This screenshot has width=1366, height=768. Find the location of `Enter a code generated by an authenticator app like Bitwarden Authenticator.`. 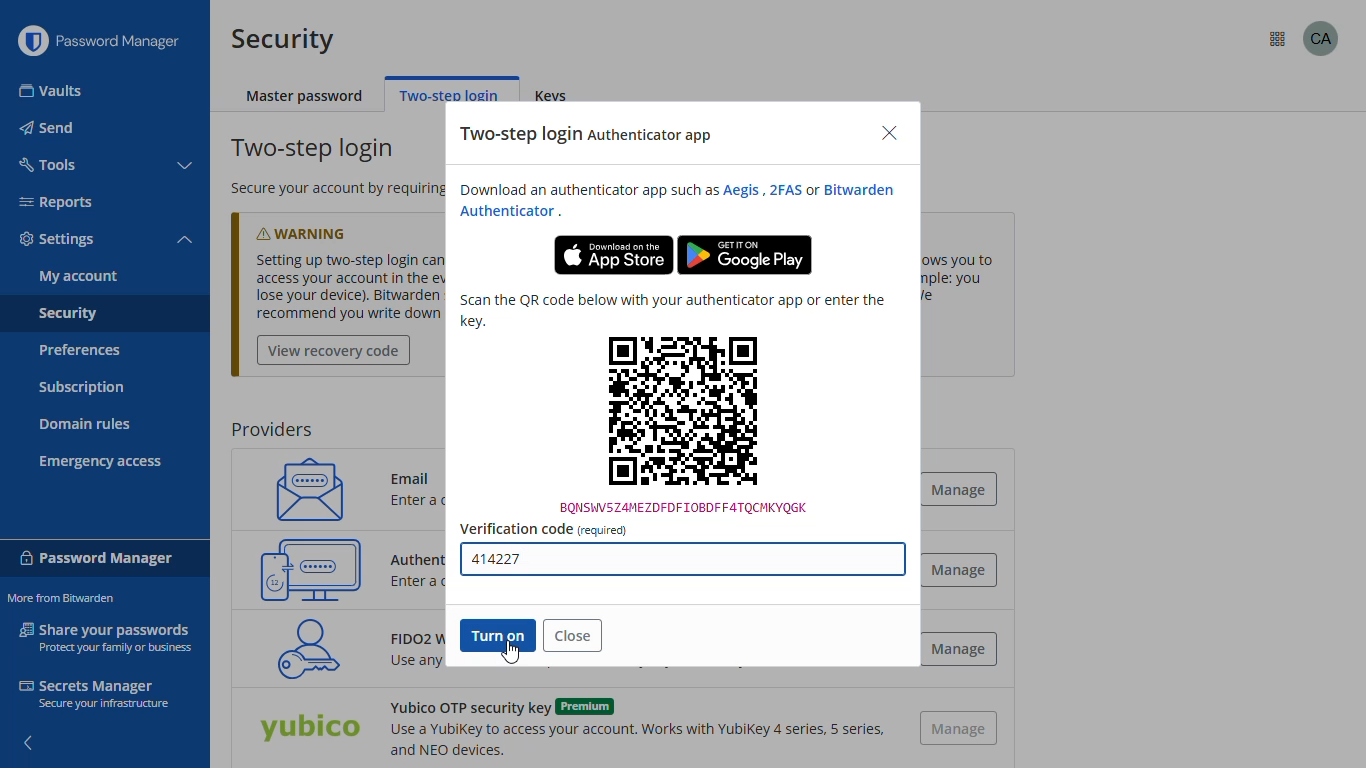

Enter a code generated by an authenticator app like Bitwarden Authenticator. is located at coordinates (420, 582).